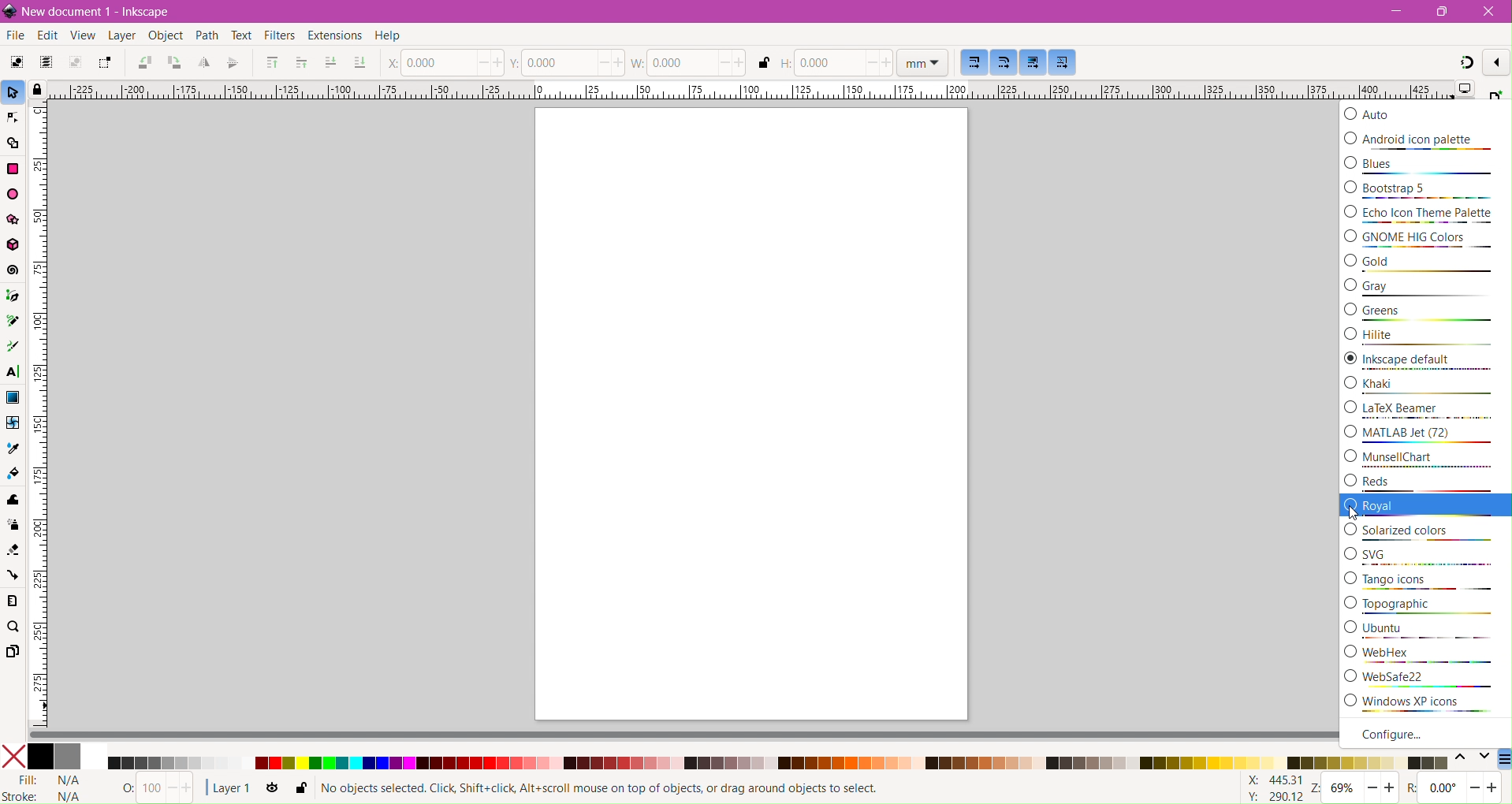 The height and width of the screenshot is (804, 1512). What do you see at coordinates (240, 35) in the screenshot?
I see `Text` at bounding box center [240, 35].